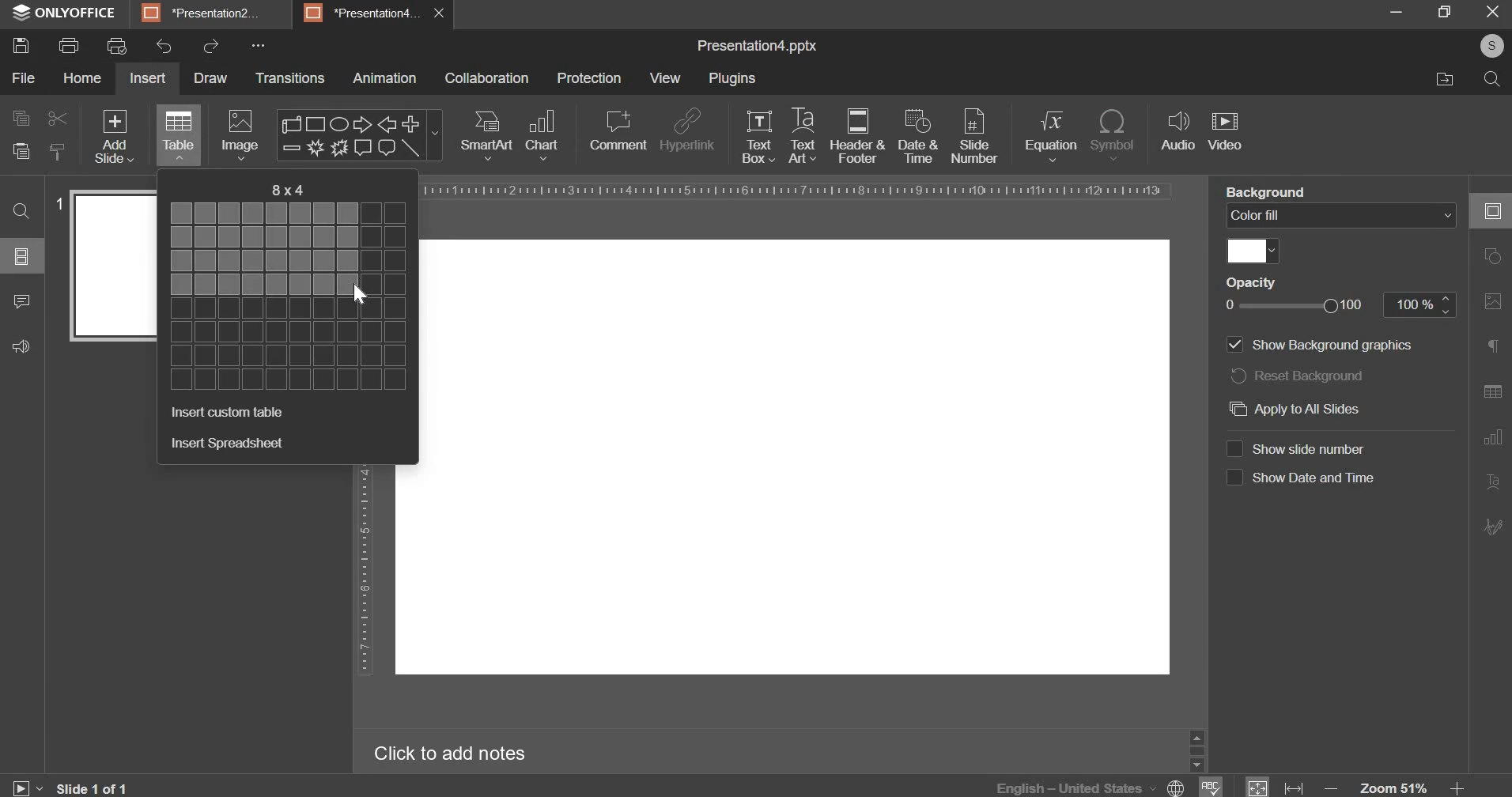 The image size is (1512, 797). I want to click on workspace, so click(794, 458).